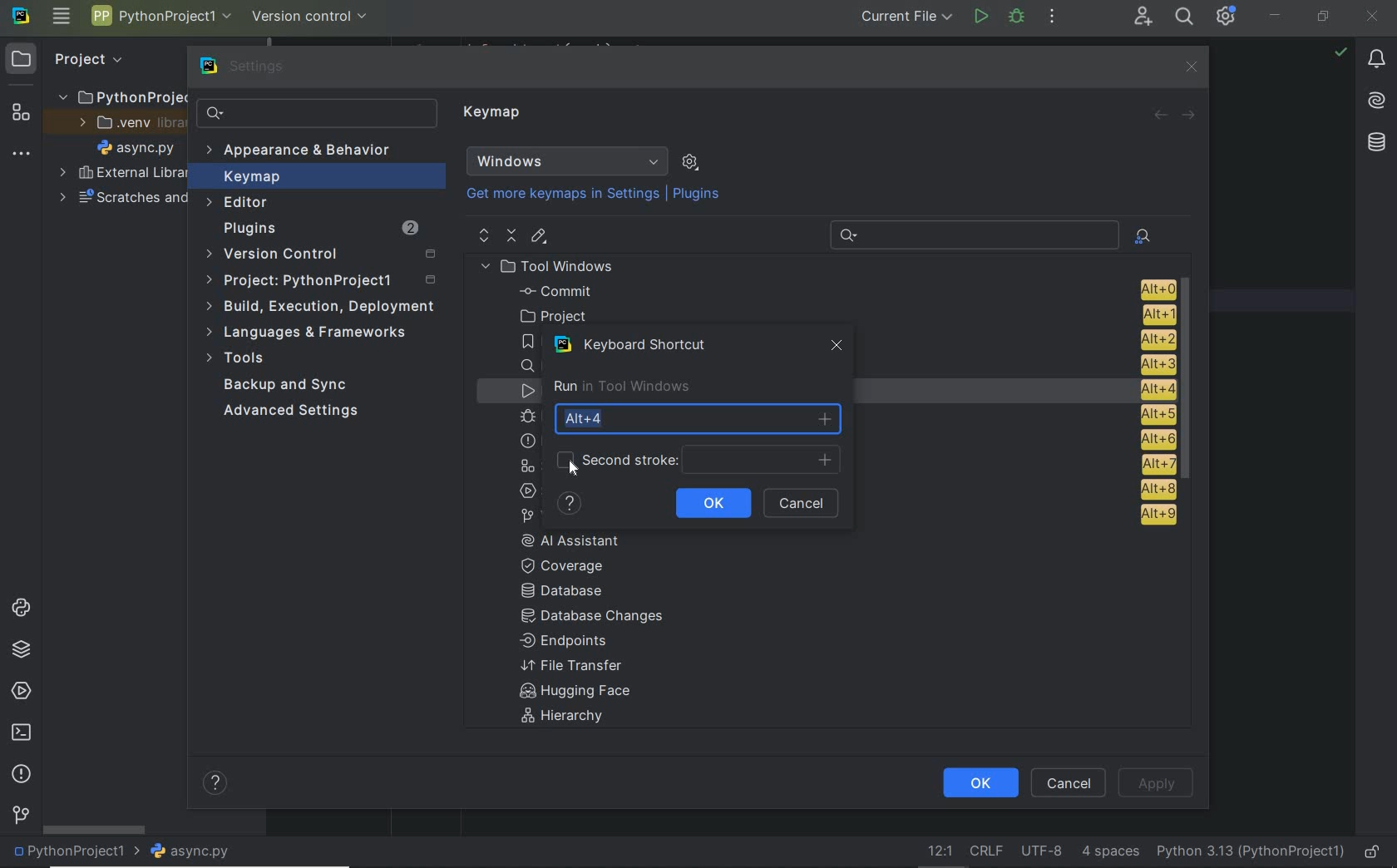  Describe the element at coordinates (1378, 102) in the screenshot. I see `AI Assistant` at that location.